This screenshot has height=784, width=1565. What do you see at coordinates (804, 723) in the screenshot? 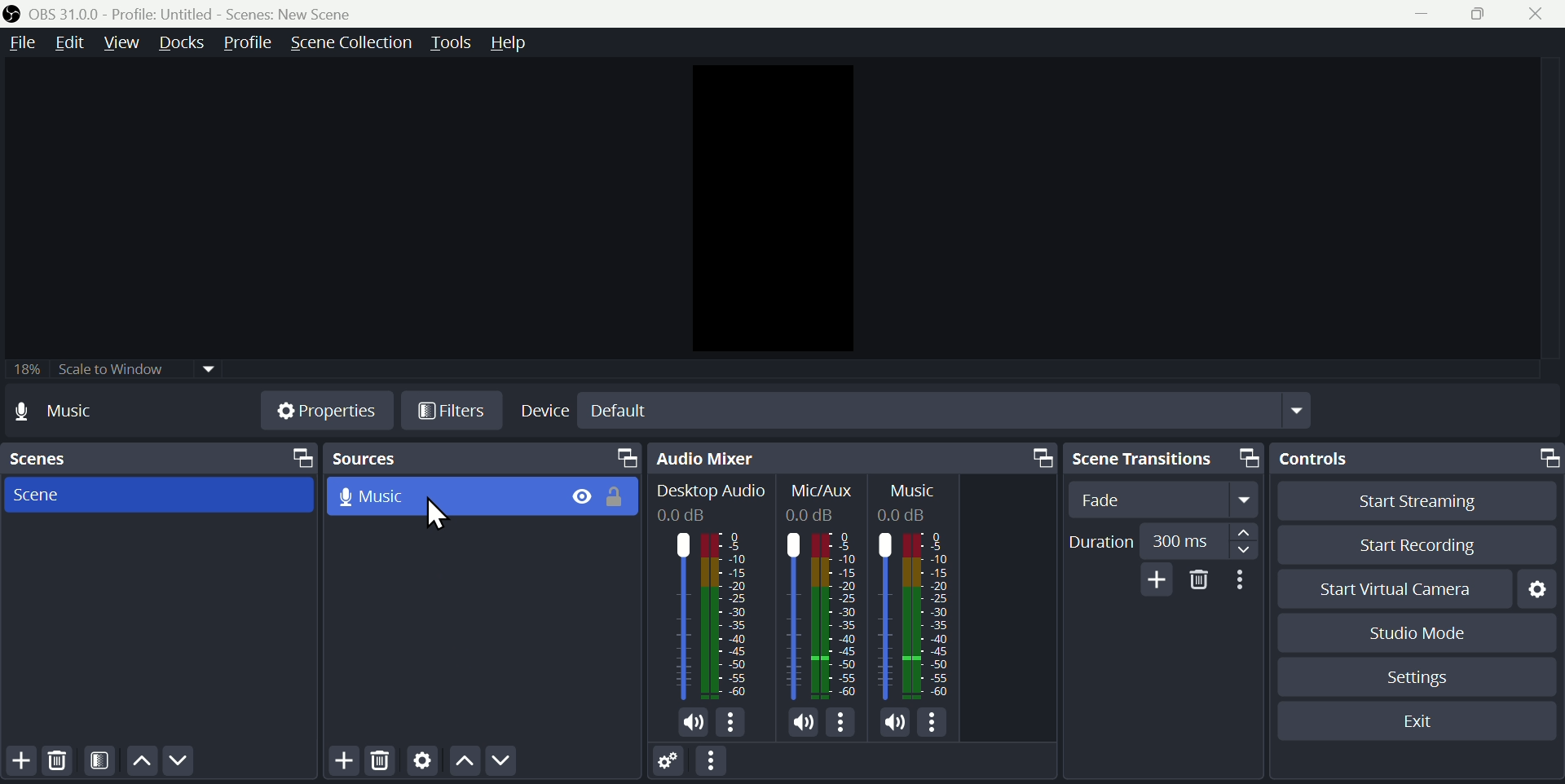
I see `Sound` at bounding box center [804, 723].